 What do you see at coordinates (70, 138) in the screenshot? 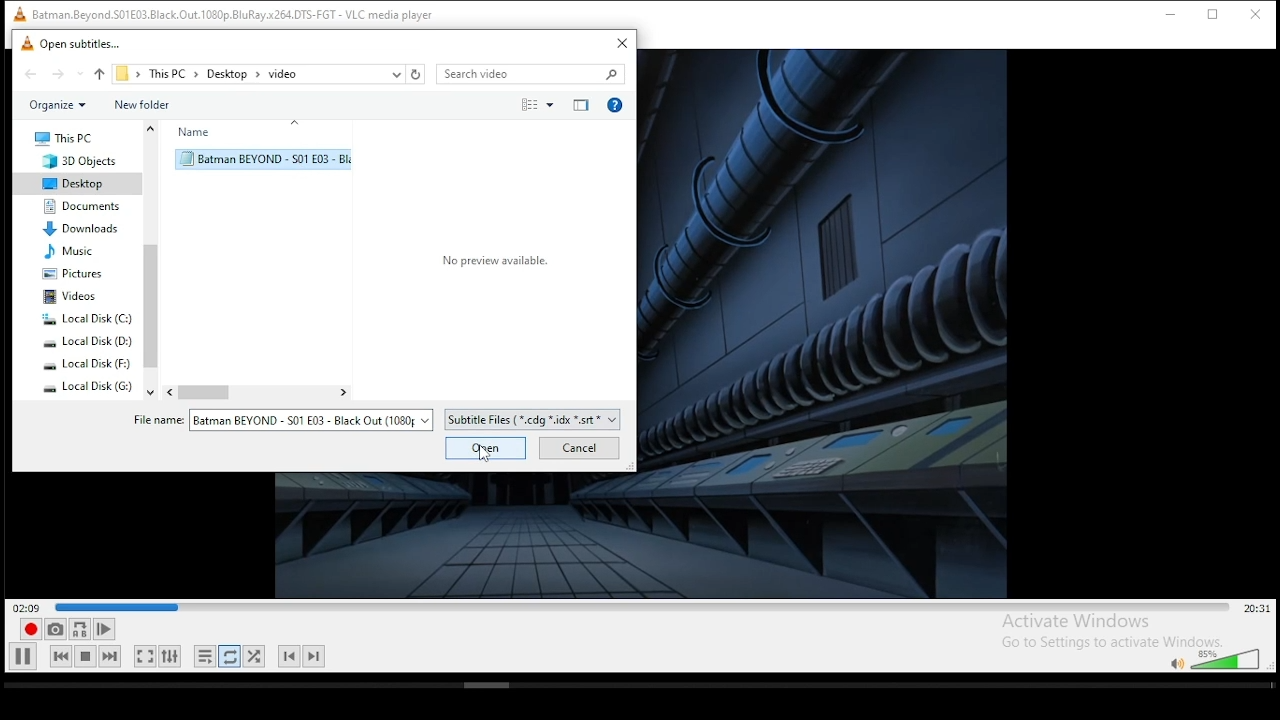
I see `this PC` at bounding box center [70, 138].